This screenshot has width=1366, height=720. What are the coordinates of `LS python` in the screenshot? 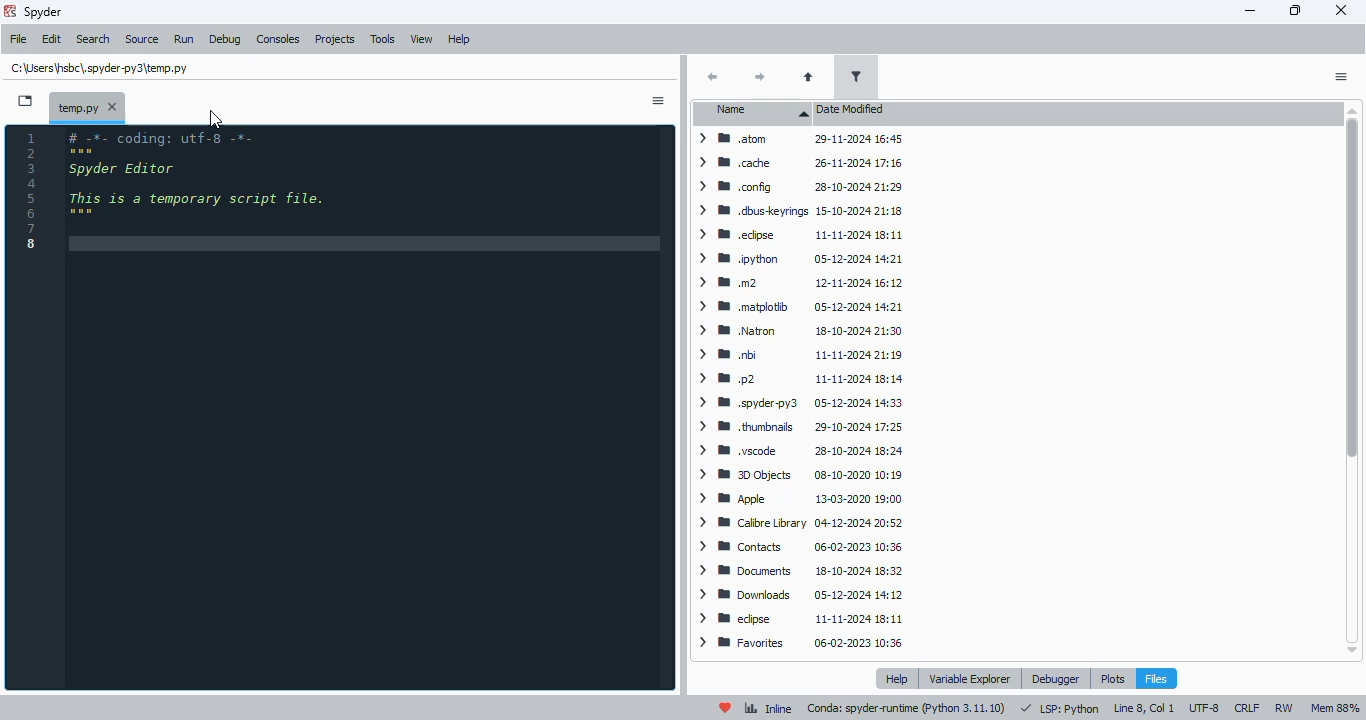 It's located at (1059, 707).